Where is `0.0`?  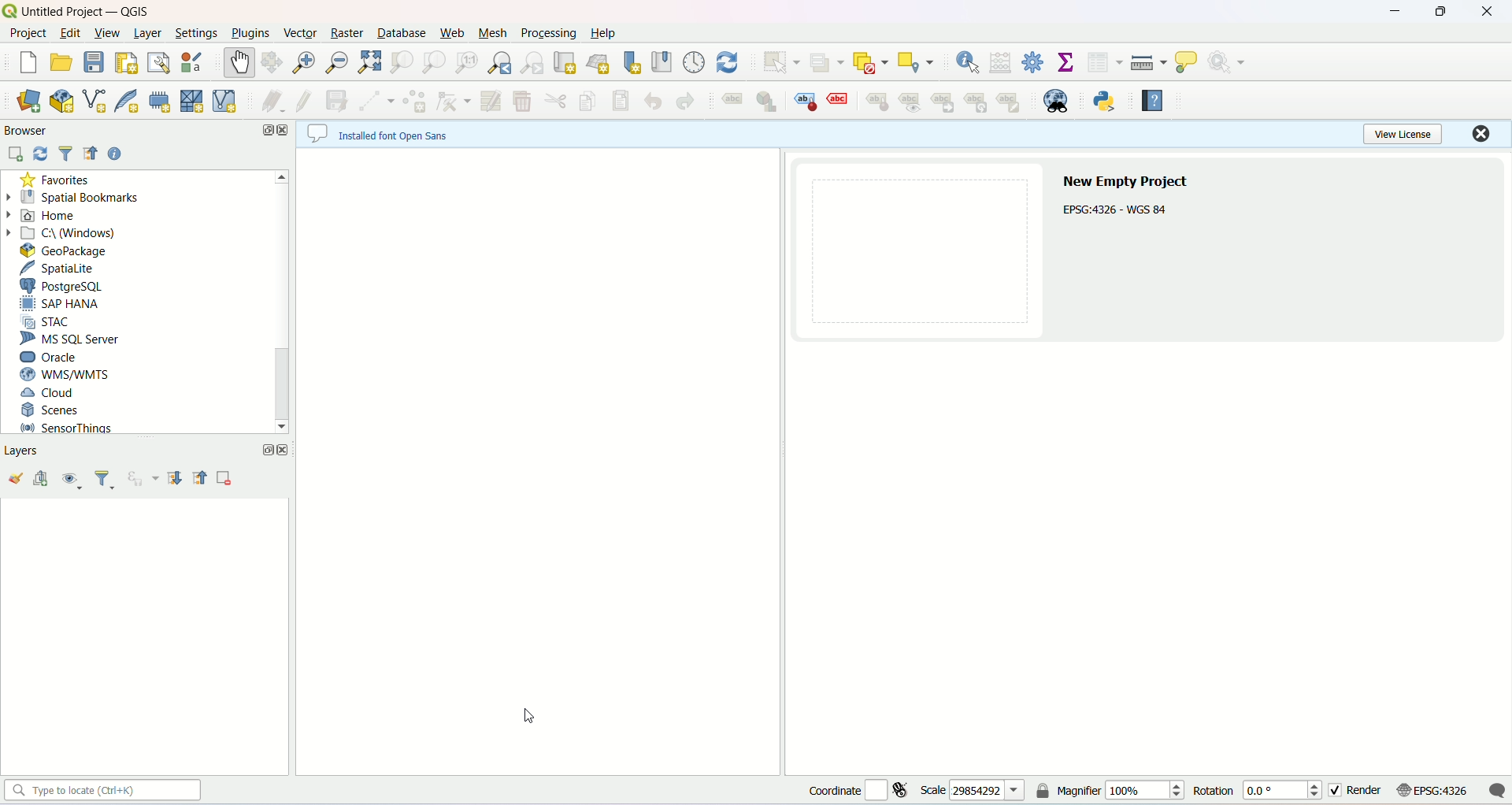 0.0 is located at coordinates (1282, 792).